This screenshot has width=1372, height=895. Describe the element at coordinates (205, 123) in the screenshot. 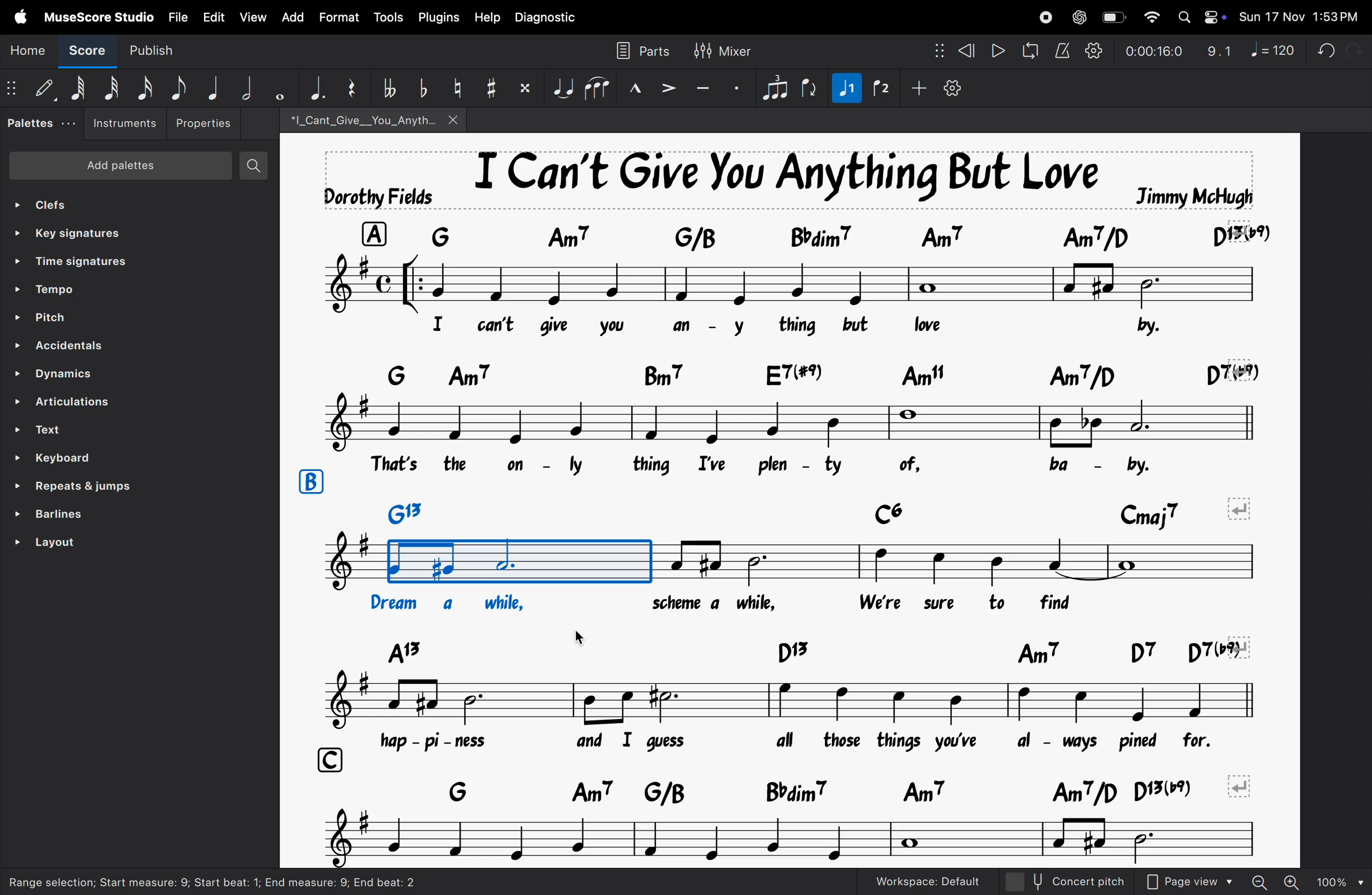

I see `Properties` at that location.